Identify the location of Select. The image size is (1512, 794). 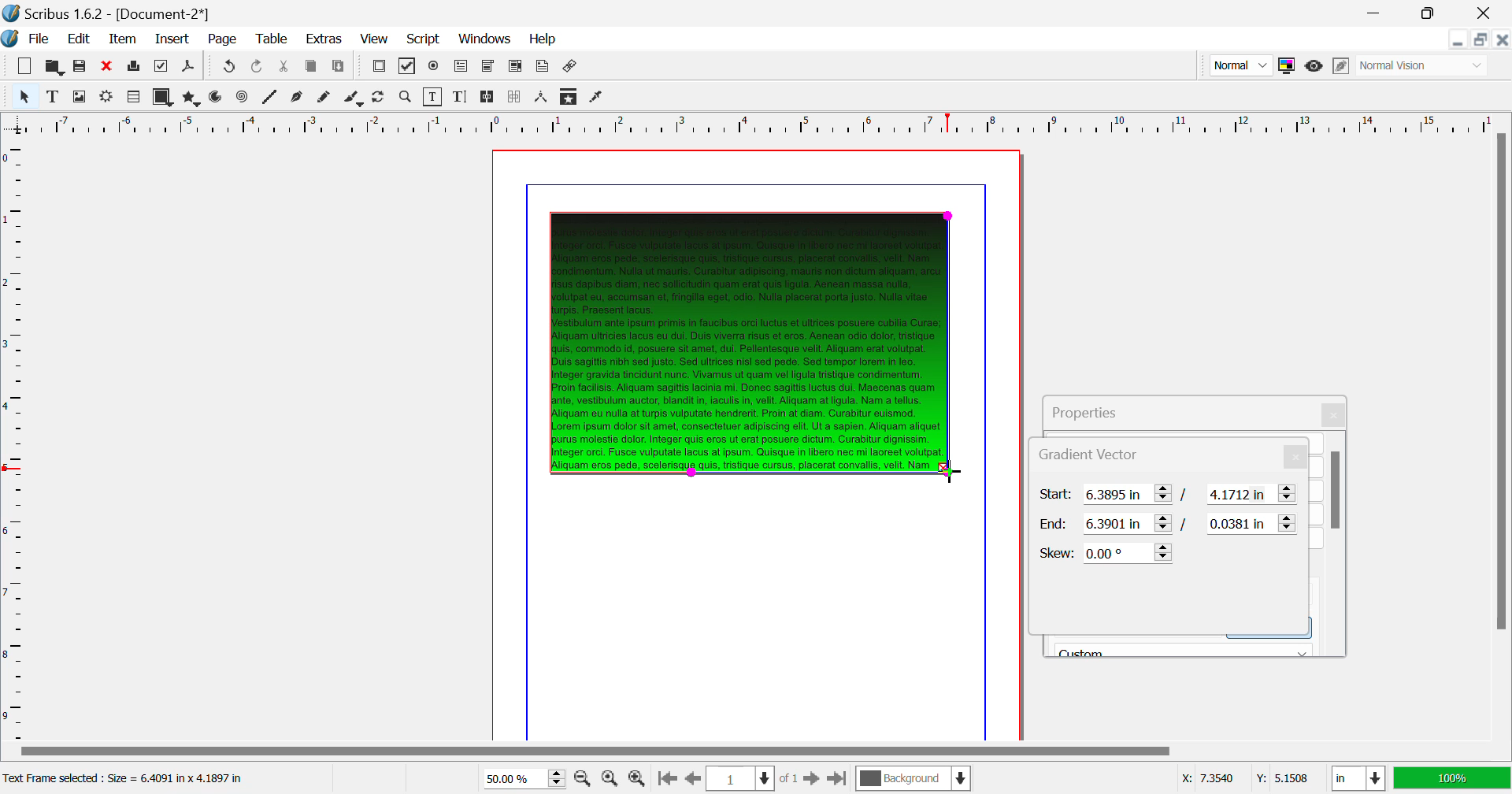
(24, 95).